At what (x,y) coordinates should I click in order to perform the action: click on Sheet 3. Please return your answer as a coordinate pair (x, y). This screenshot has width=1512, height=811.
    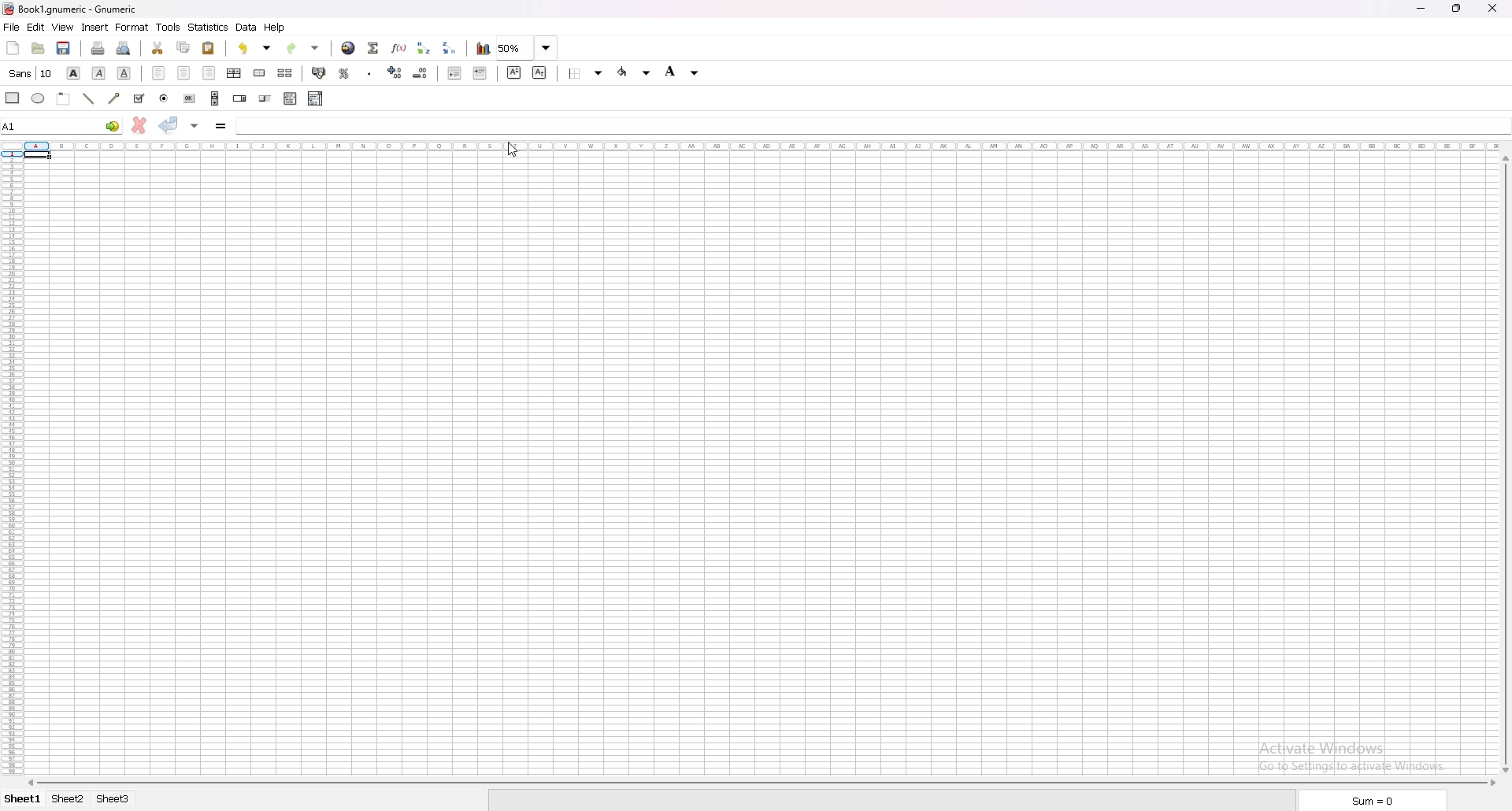
    Looking at the image, I should click on (116, 800).